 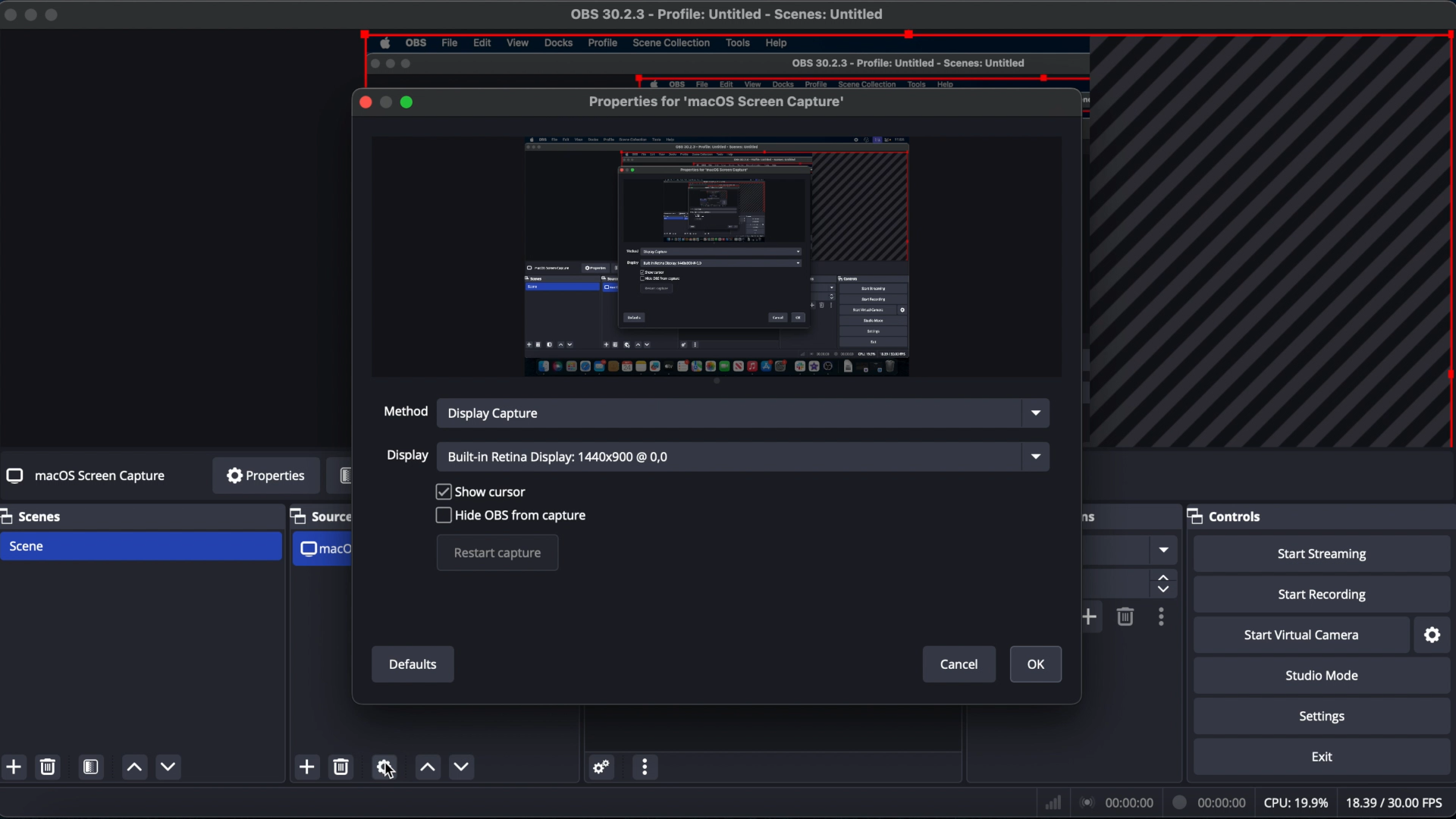 What do you see at coordinates (1090, 519) in the screenshot?
I see `scene transitions` at bounding box center [1090, 519].